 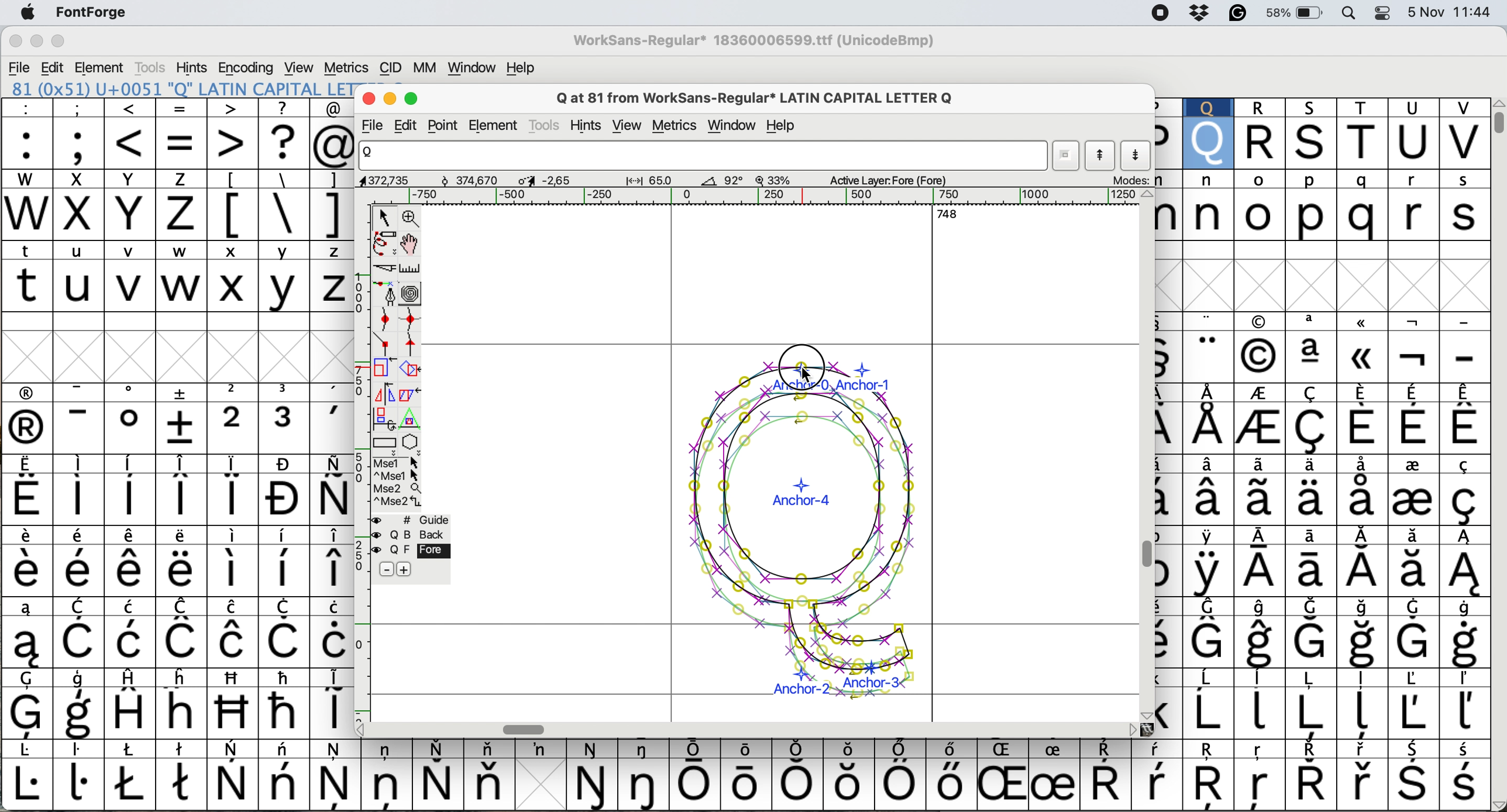 What do you see at coordinates (704, 156) in the screenshot?
I see `glyph name` at bounding box center [704, 156].